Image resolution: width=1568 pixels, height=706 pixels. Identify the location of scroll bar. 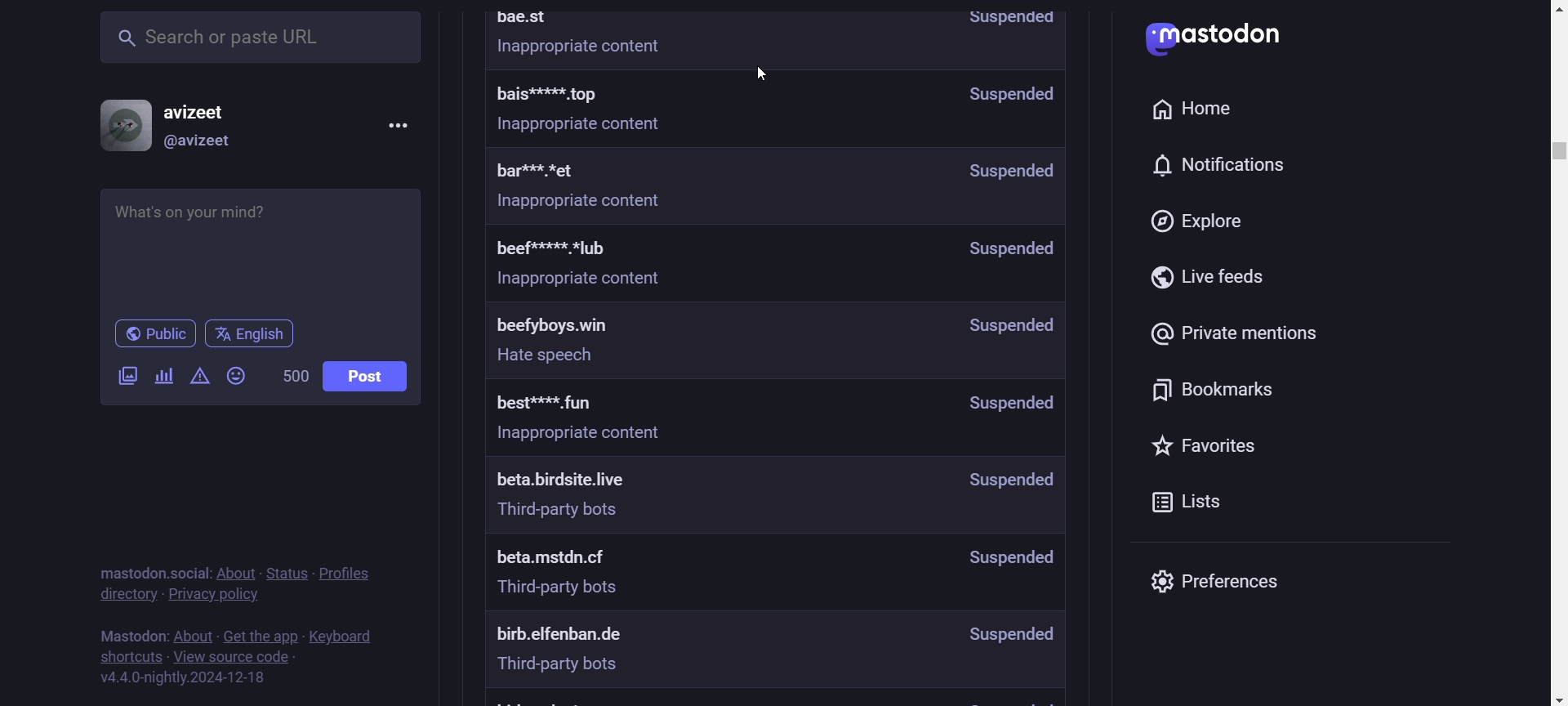
(1552, 174).